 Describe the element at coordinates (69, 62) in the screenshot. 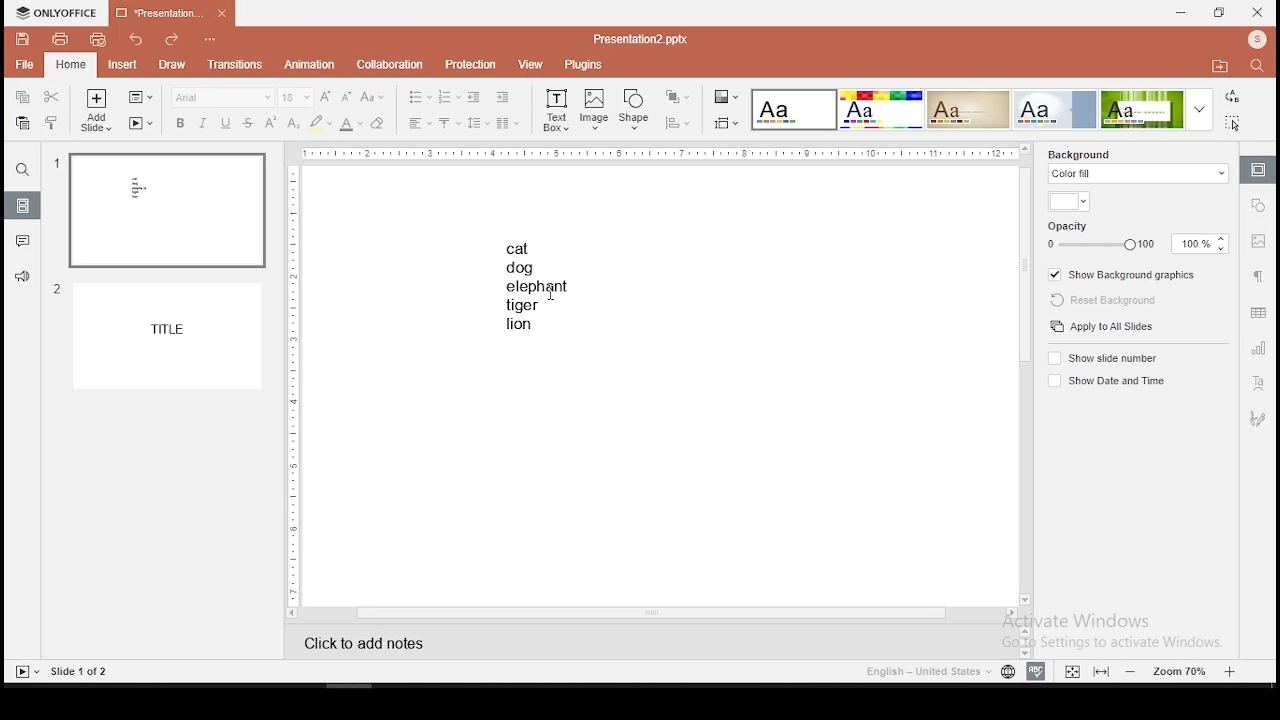

I see `home` at that location.